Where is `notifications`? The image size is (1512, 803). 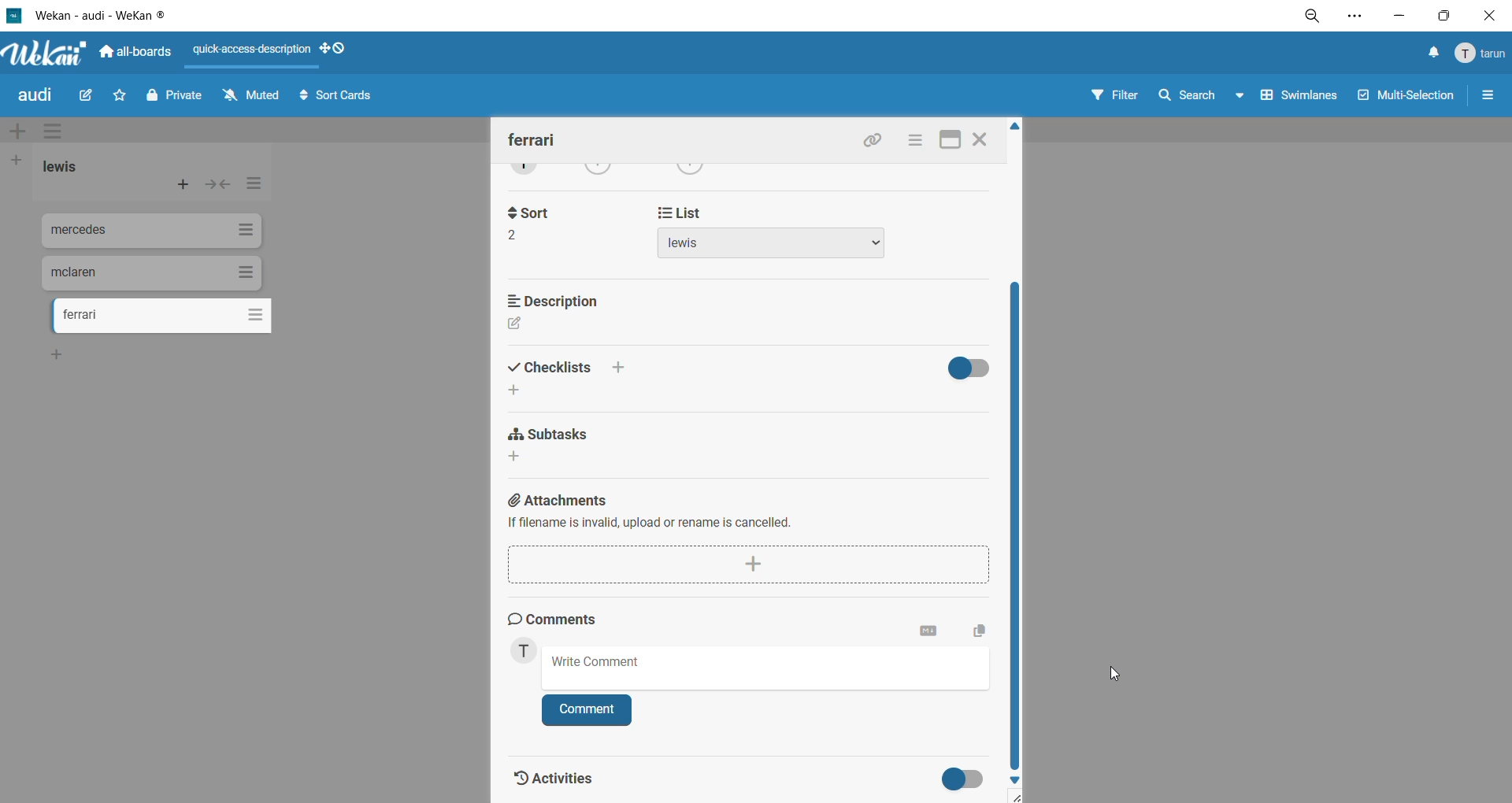
notifications is located at coordinates (1432, 54).